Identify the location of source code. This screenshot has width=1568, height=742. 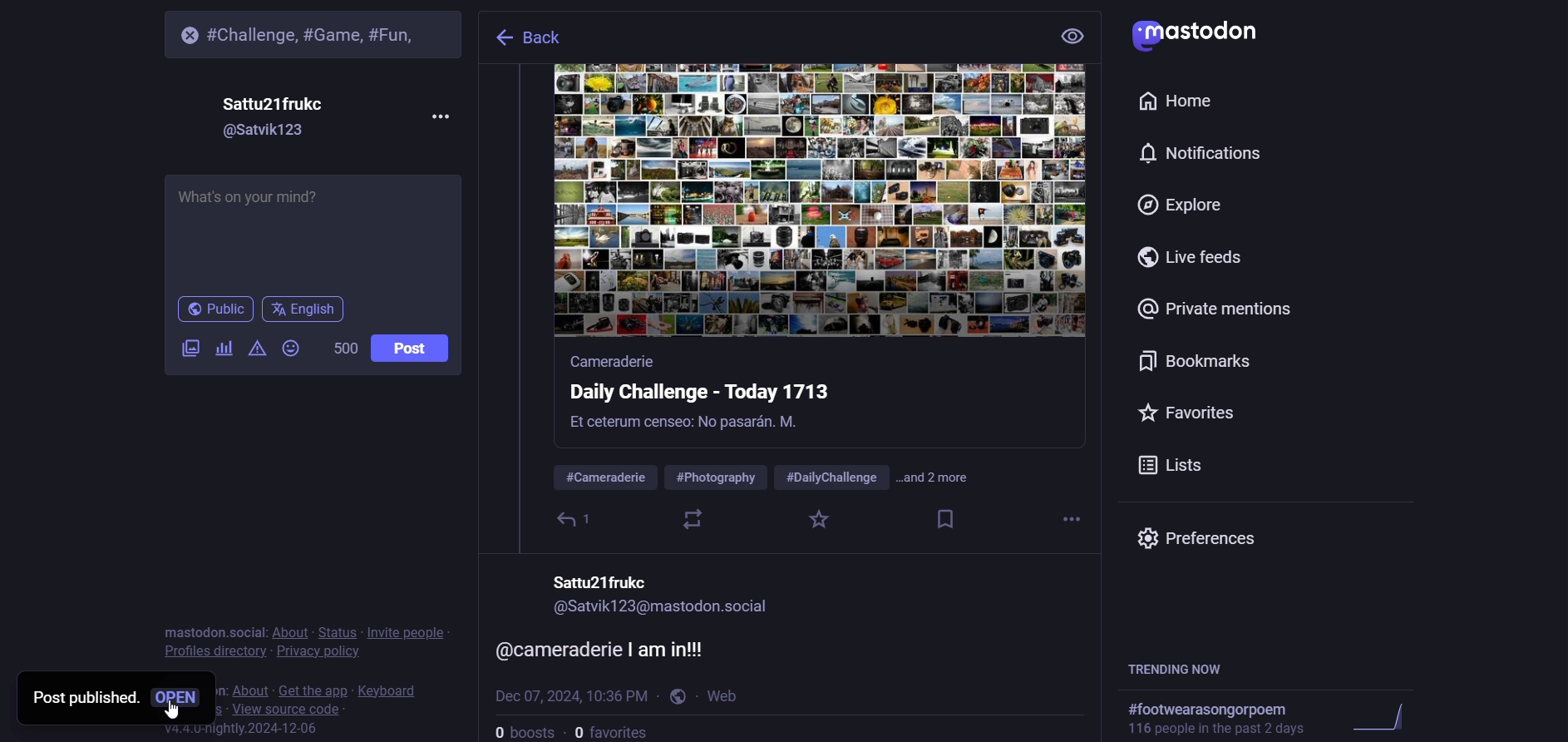
(279, 708).